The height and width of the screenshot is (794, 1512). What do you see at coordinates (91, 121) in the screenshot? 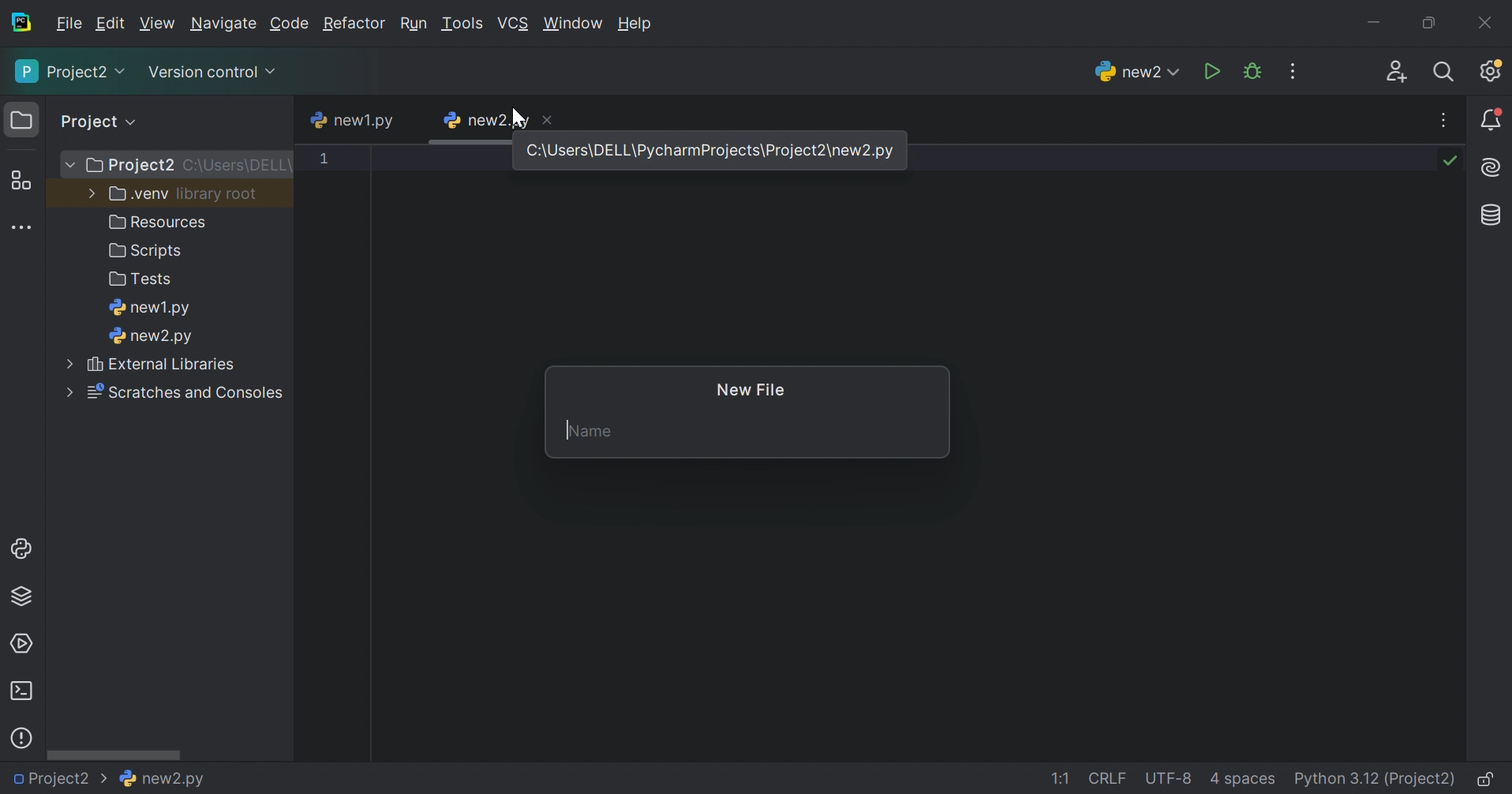
I see `Project` at bounding box center [91, 121].